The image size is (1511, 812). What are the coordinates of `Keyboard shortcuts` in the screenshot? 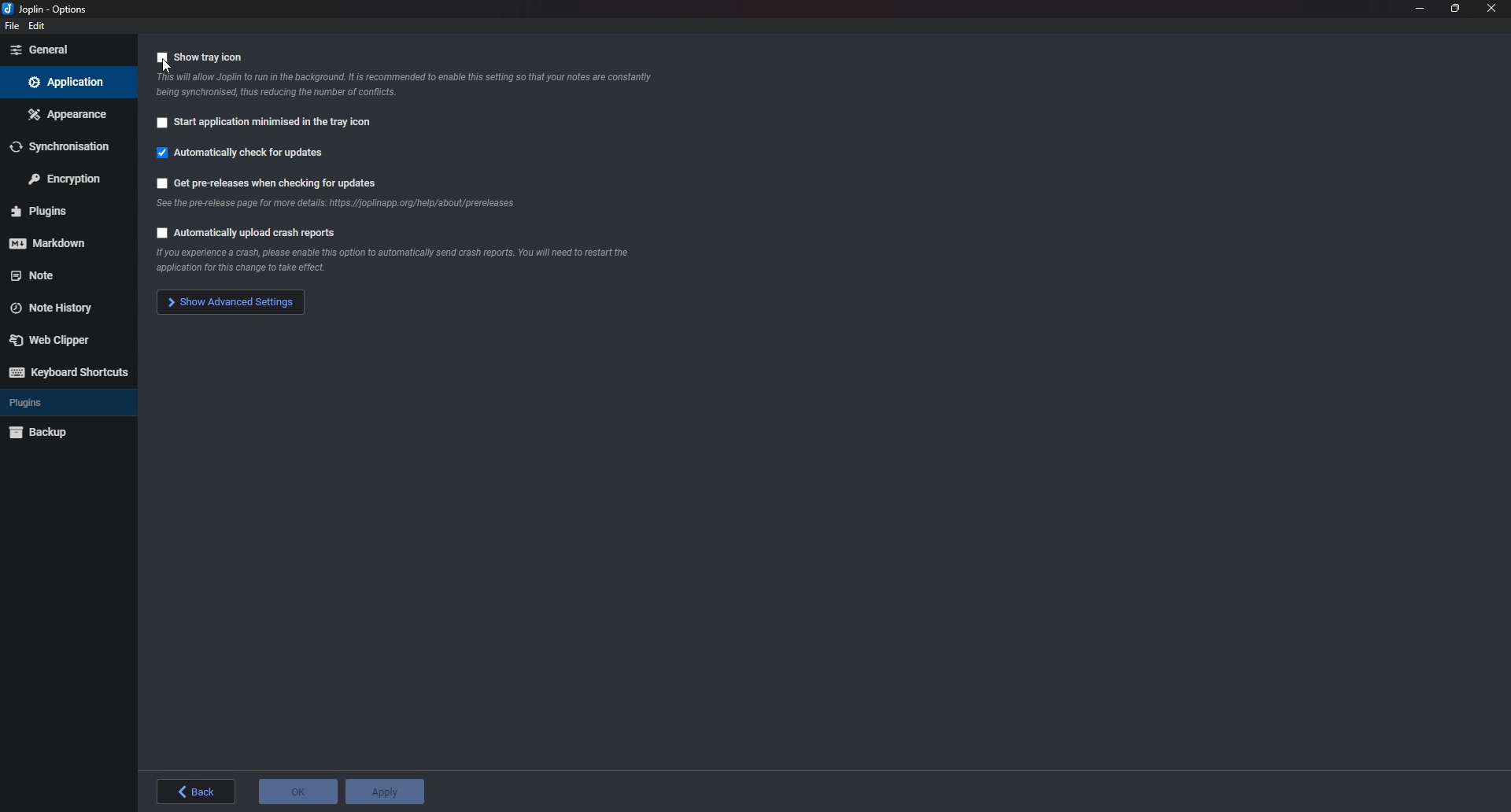 It's located at (70, 372).